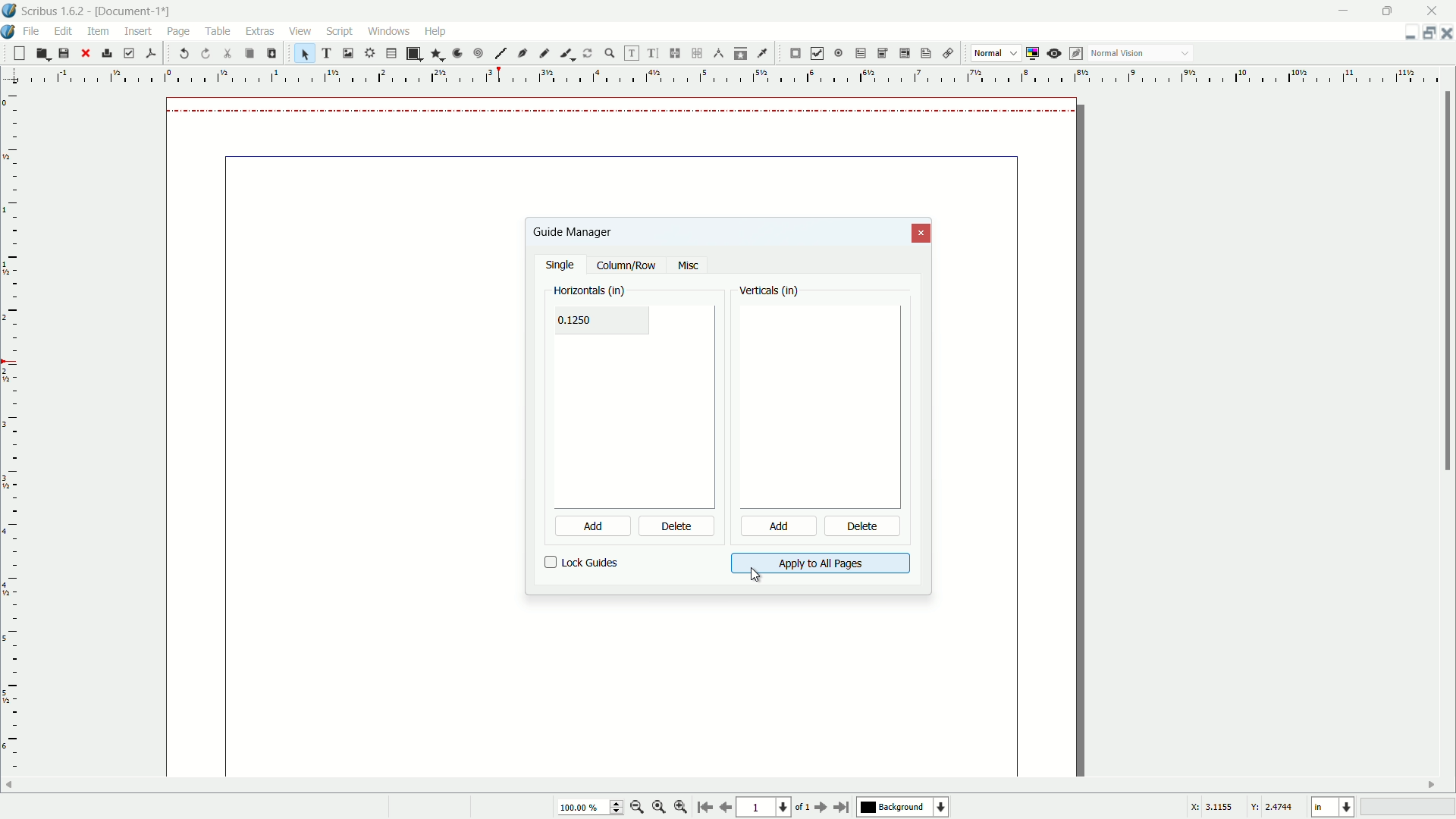 This screenshot has height=819, width=1456. Describe the element at coordinates (66, 30) in the screenshot. I see `edit menu` at that location.